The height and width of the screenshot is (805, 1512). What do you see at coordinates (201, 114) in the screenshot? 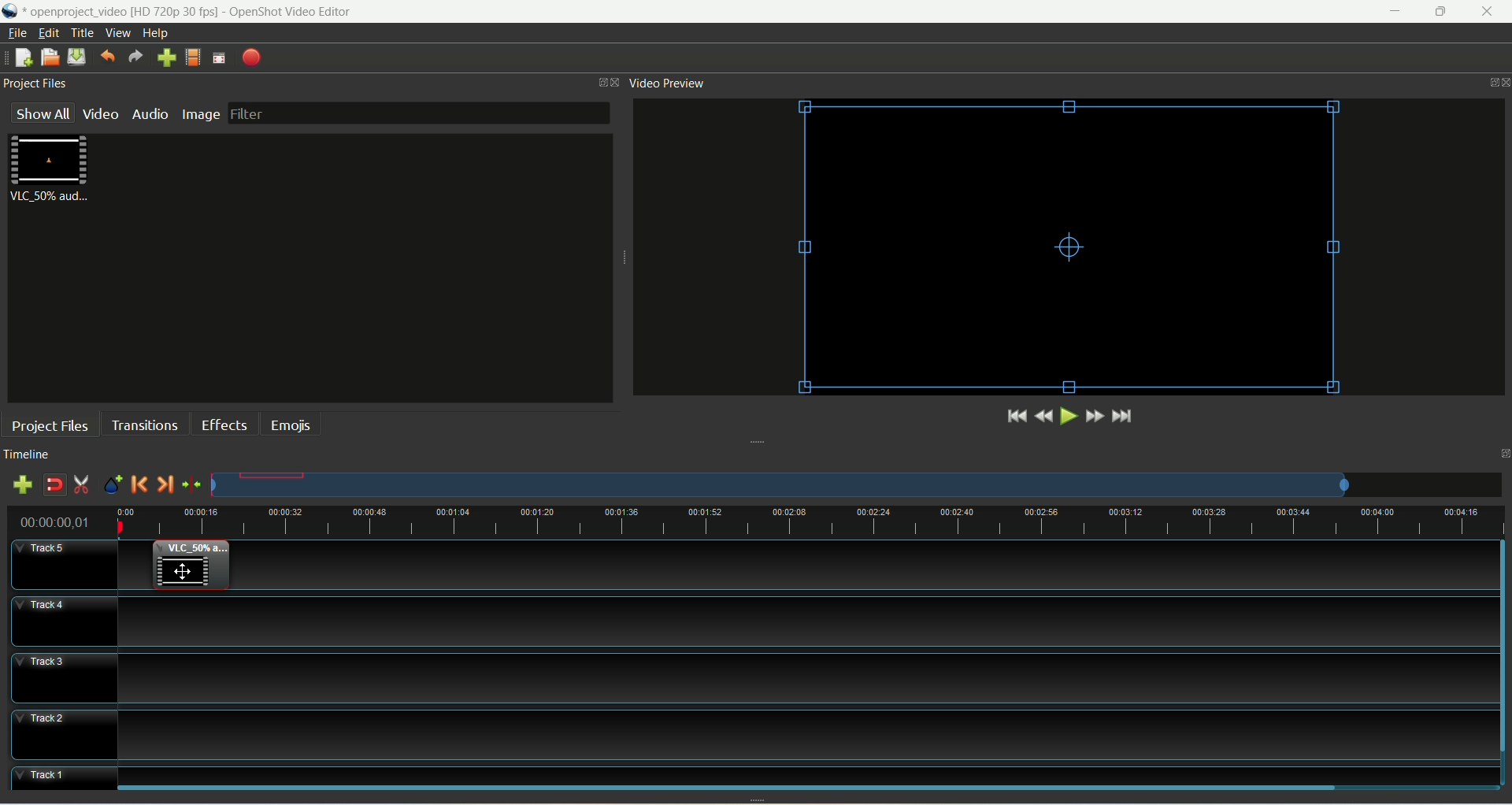
I see `image` at bounding box center [201, 114].